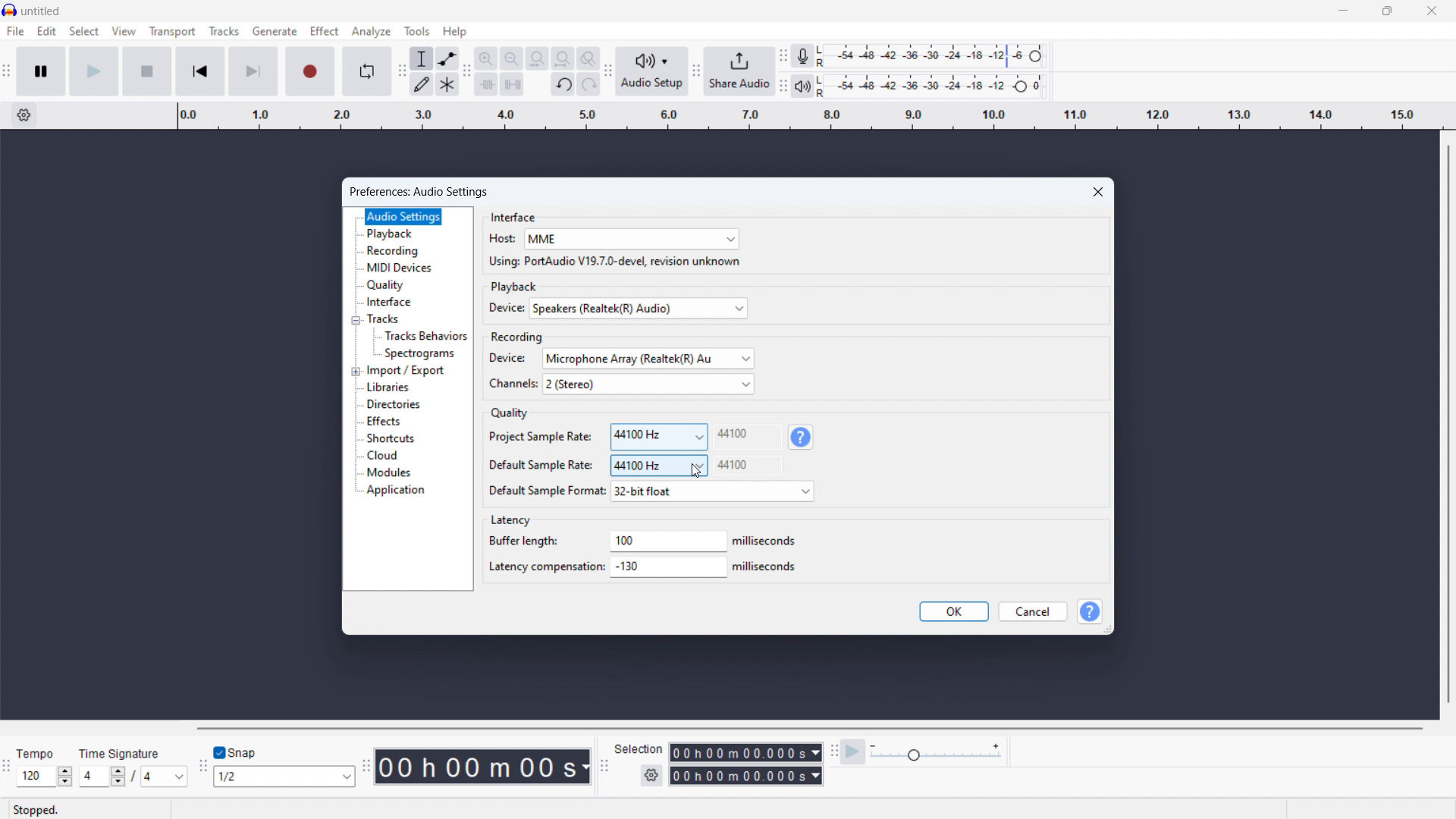 The height and width of the screenshot is (819, 1456). Describe the element at coordinates (803, 56) in the screenshot. I see `recording meter` at that location.